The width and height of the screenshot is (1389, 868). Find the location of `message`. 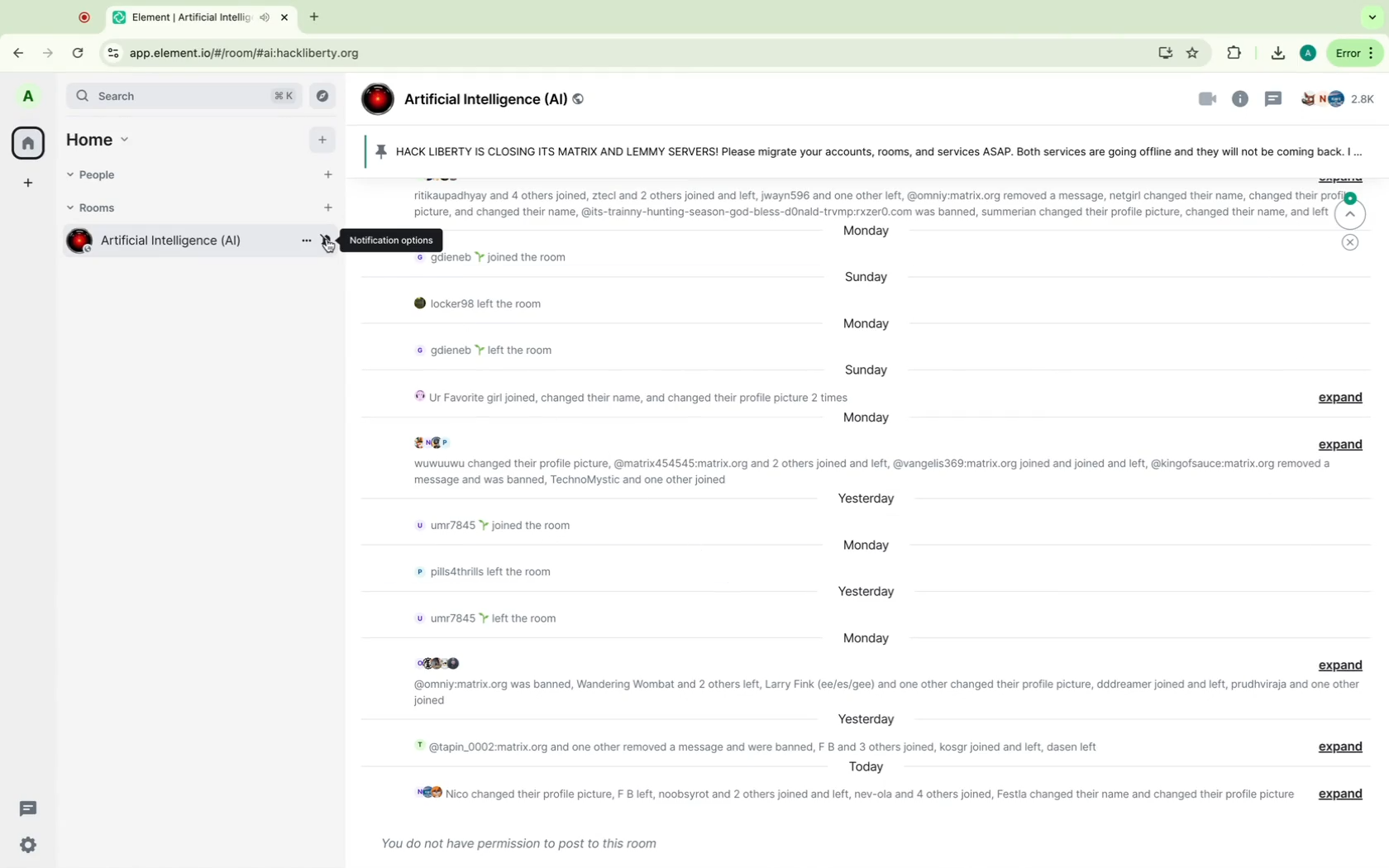

message is located at coordinates (851, 796).